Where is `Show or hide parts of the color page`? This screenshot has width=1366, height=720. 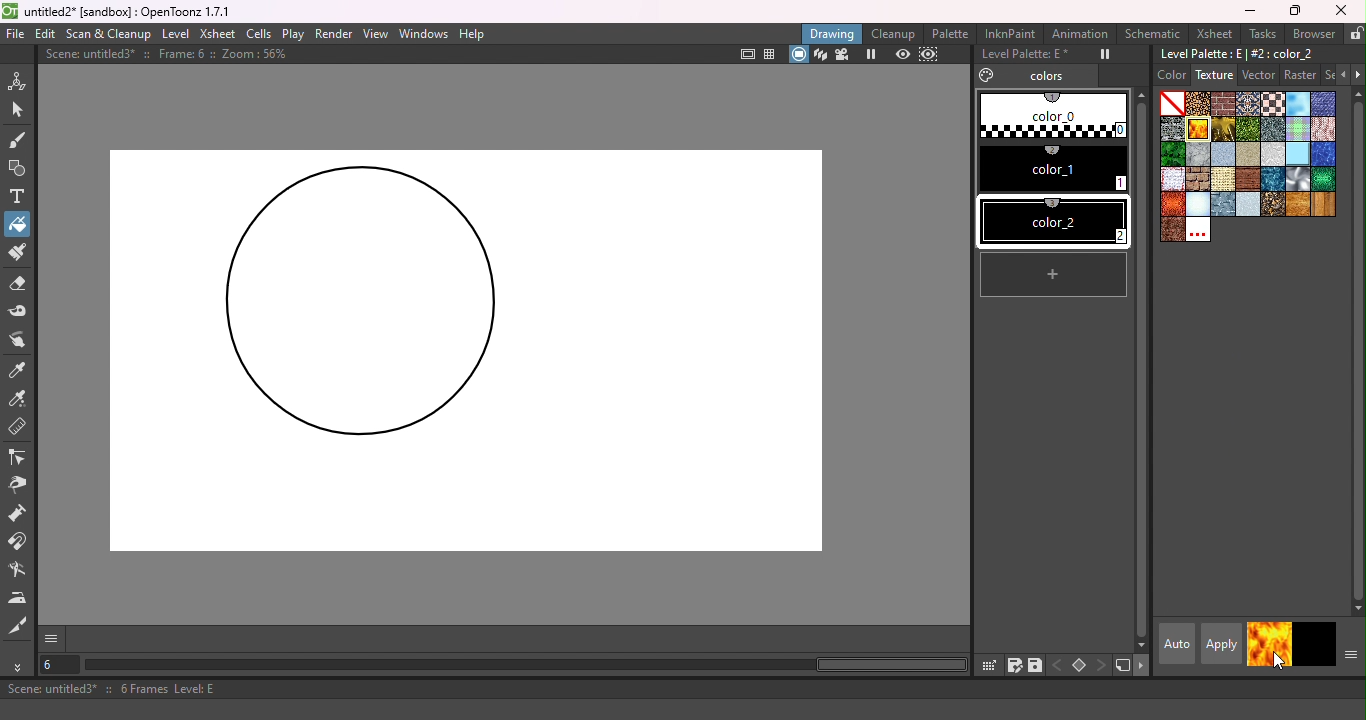
Show or hide parts of the color page is located at coordinates (1349, 658).